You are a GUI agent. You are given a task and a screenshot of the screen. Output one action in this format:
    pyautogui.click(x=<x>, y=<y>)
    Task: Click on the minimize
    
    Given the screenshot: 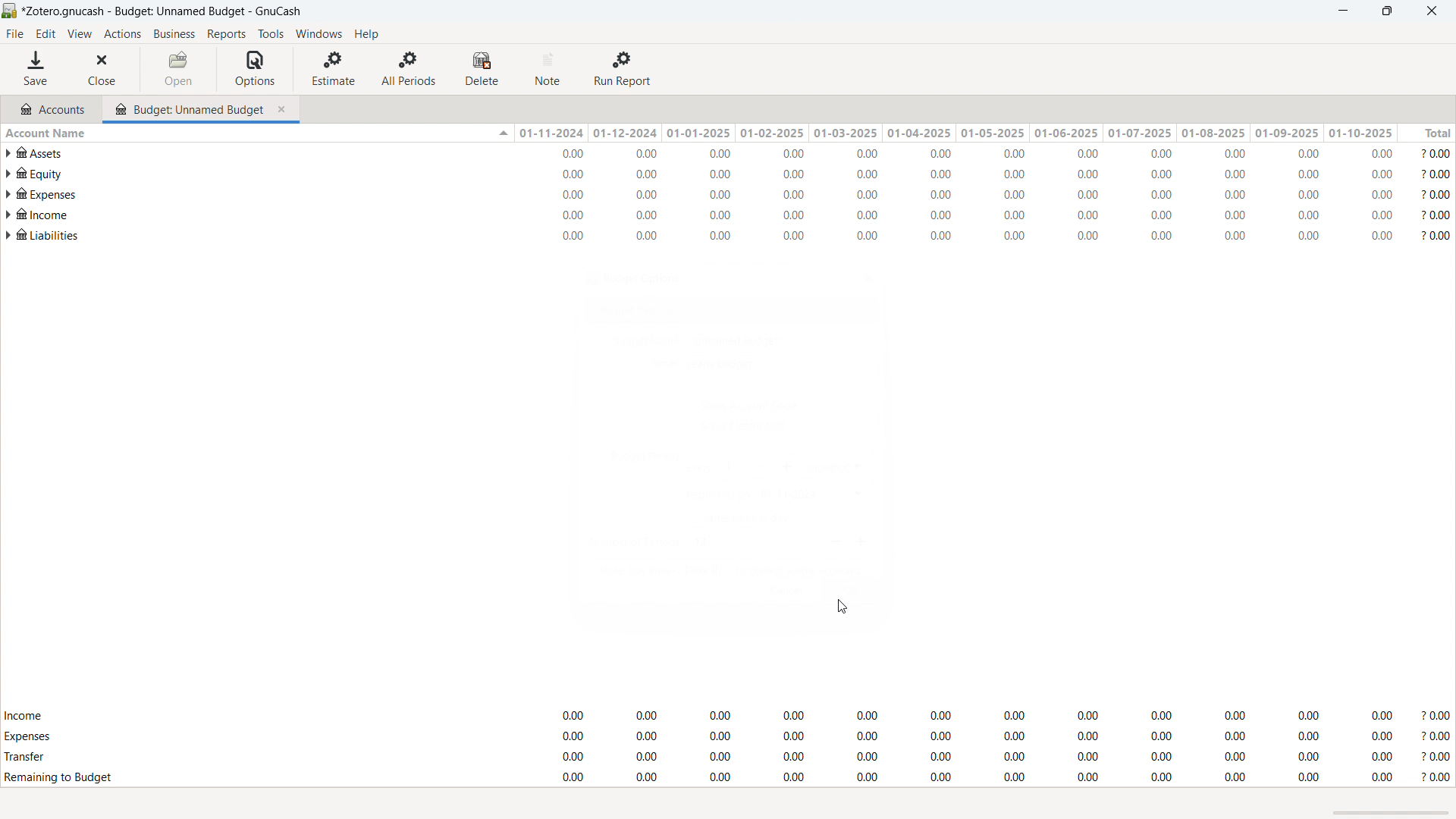 What is the action you would take?
    pyautogui.click(x=1341, y=11)
    